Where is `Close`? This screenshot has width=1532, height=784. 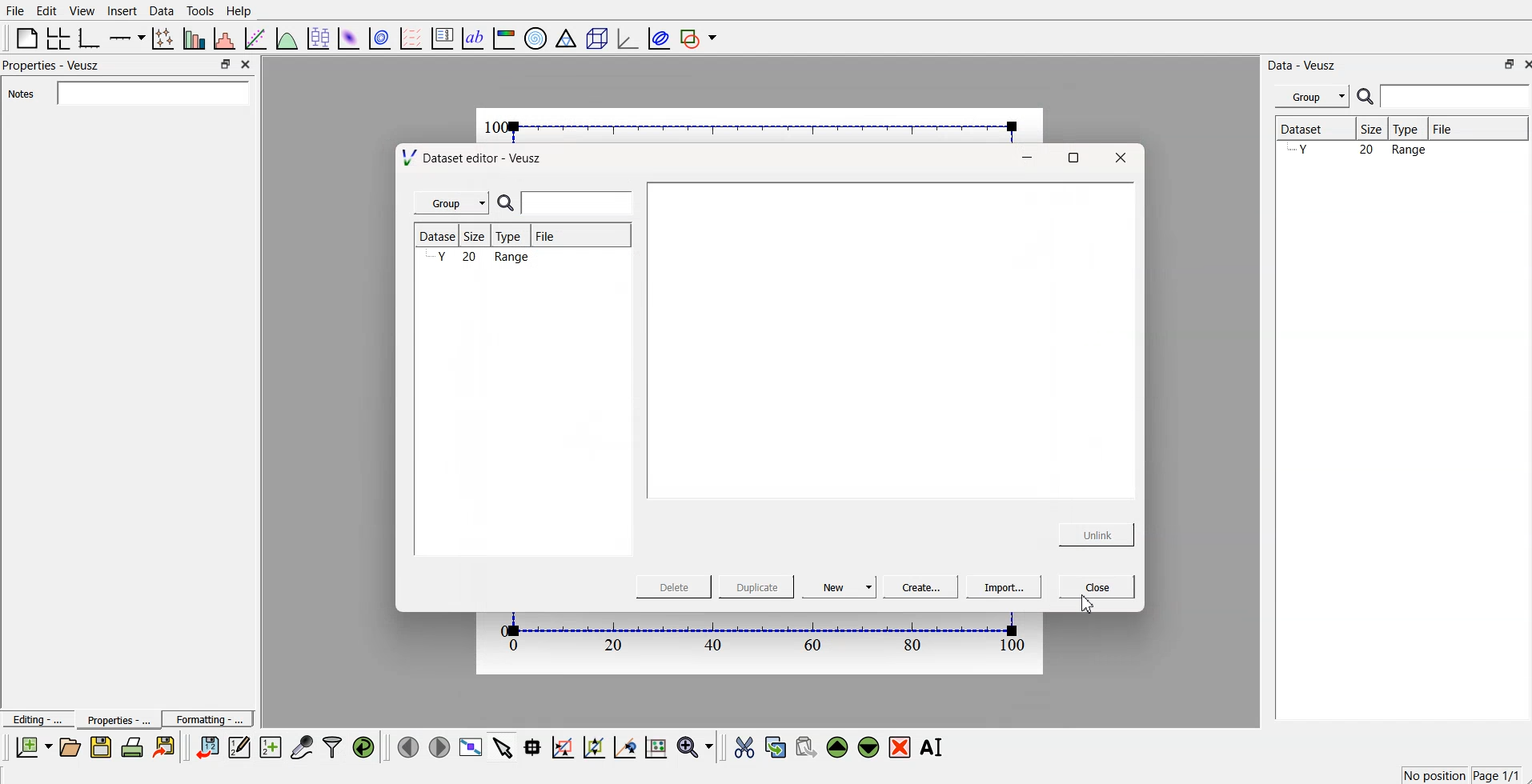 Close is located at coordinates (1098, 585).